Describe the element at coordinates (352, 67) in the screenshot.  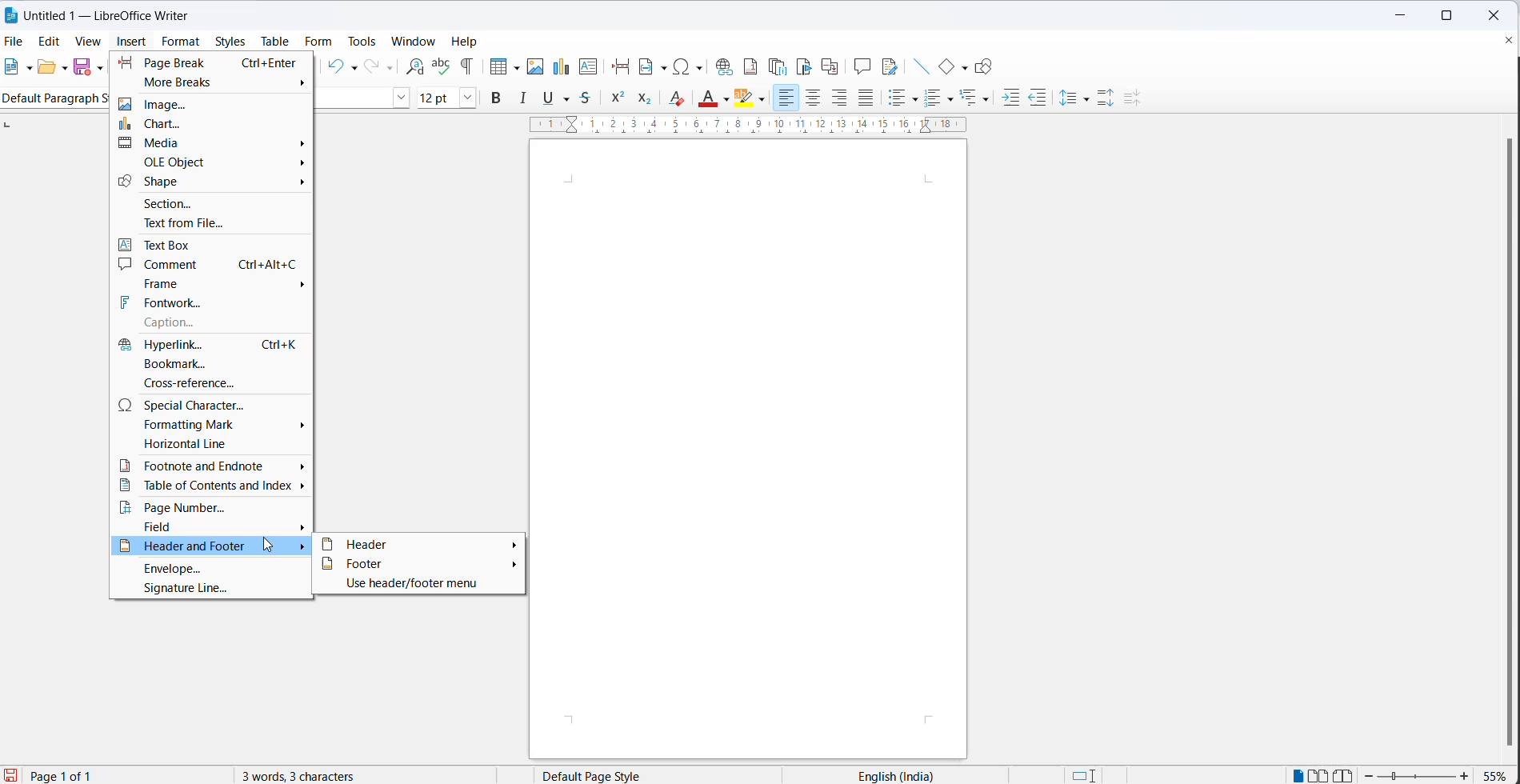
I see `undo options` at that location.